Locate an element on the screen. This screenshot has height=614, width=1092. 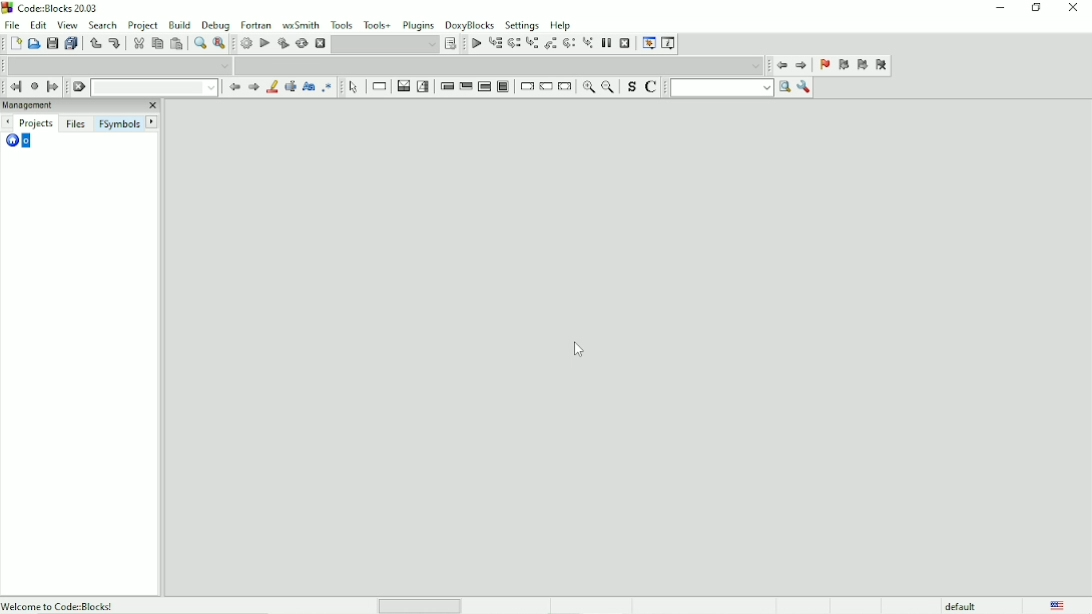
Run is located at coordinates (264, 43).